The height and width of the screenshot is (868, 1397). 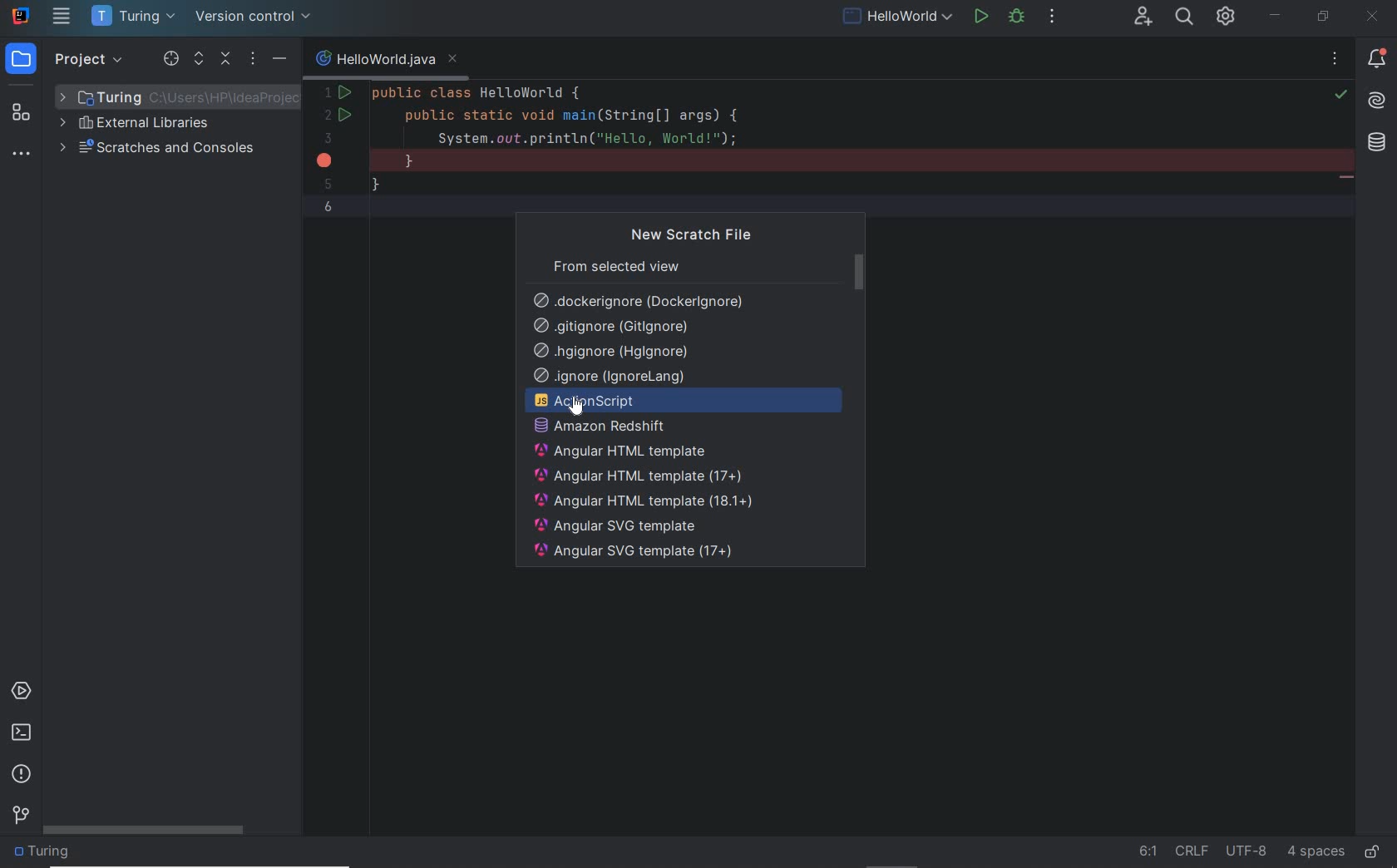 What do you see at coordinates (21, 813) in the screenshot?
I see `Git` at bounding box center [21, 813].